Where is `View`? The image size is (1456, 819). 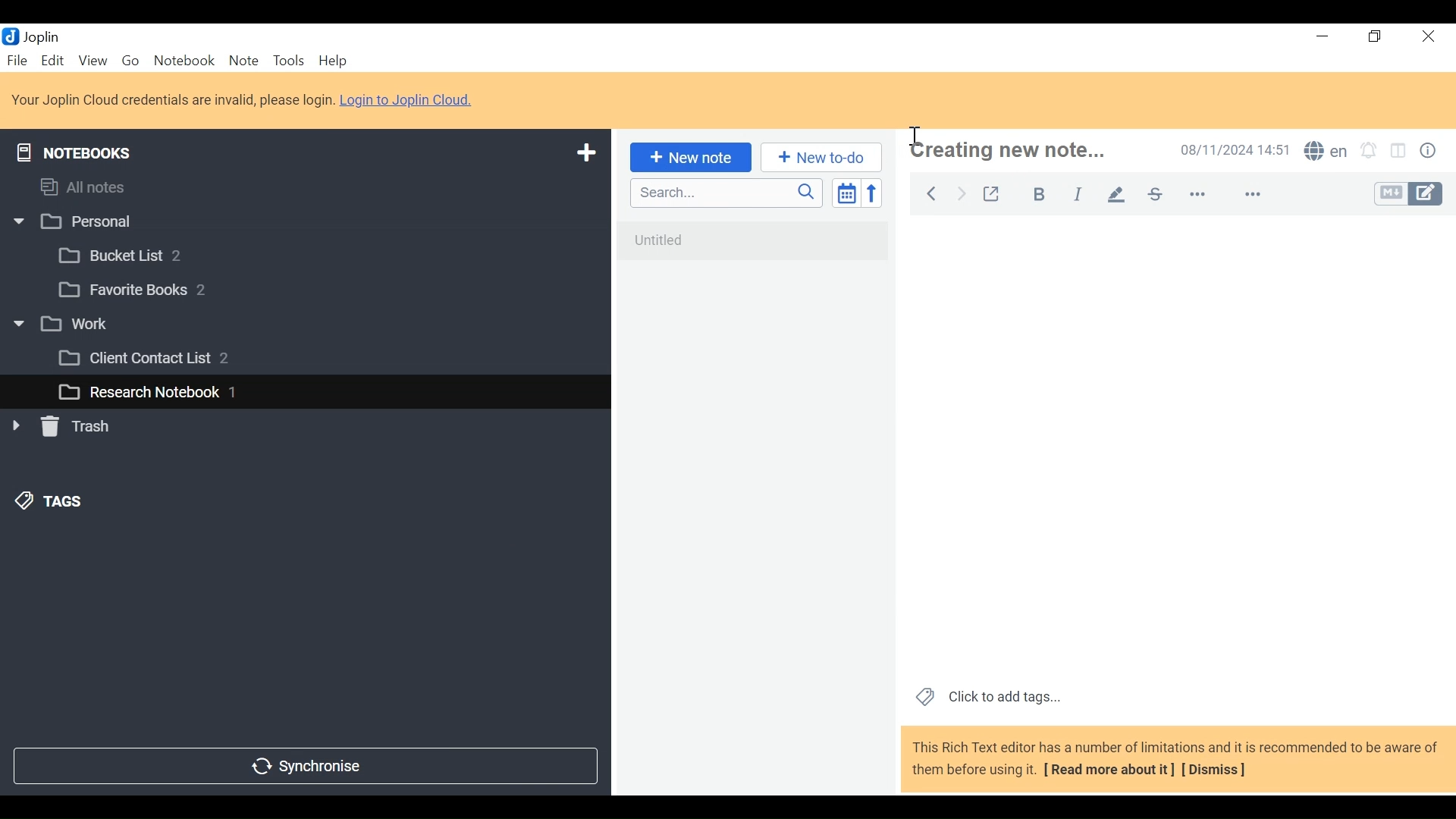 View is located at coordinates (93, 60).